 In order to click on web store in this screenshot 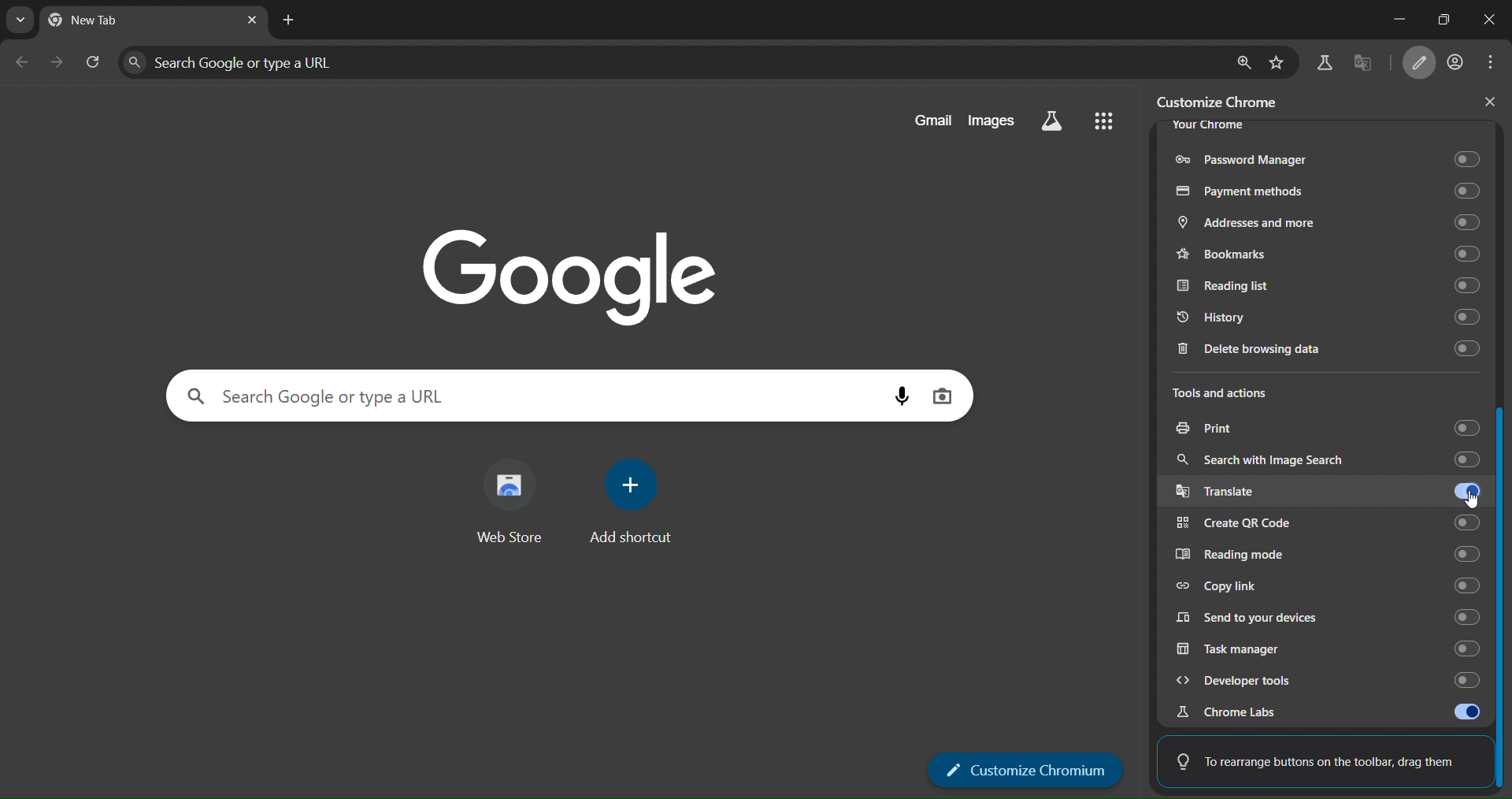, I will do `click(513, 504)`.